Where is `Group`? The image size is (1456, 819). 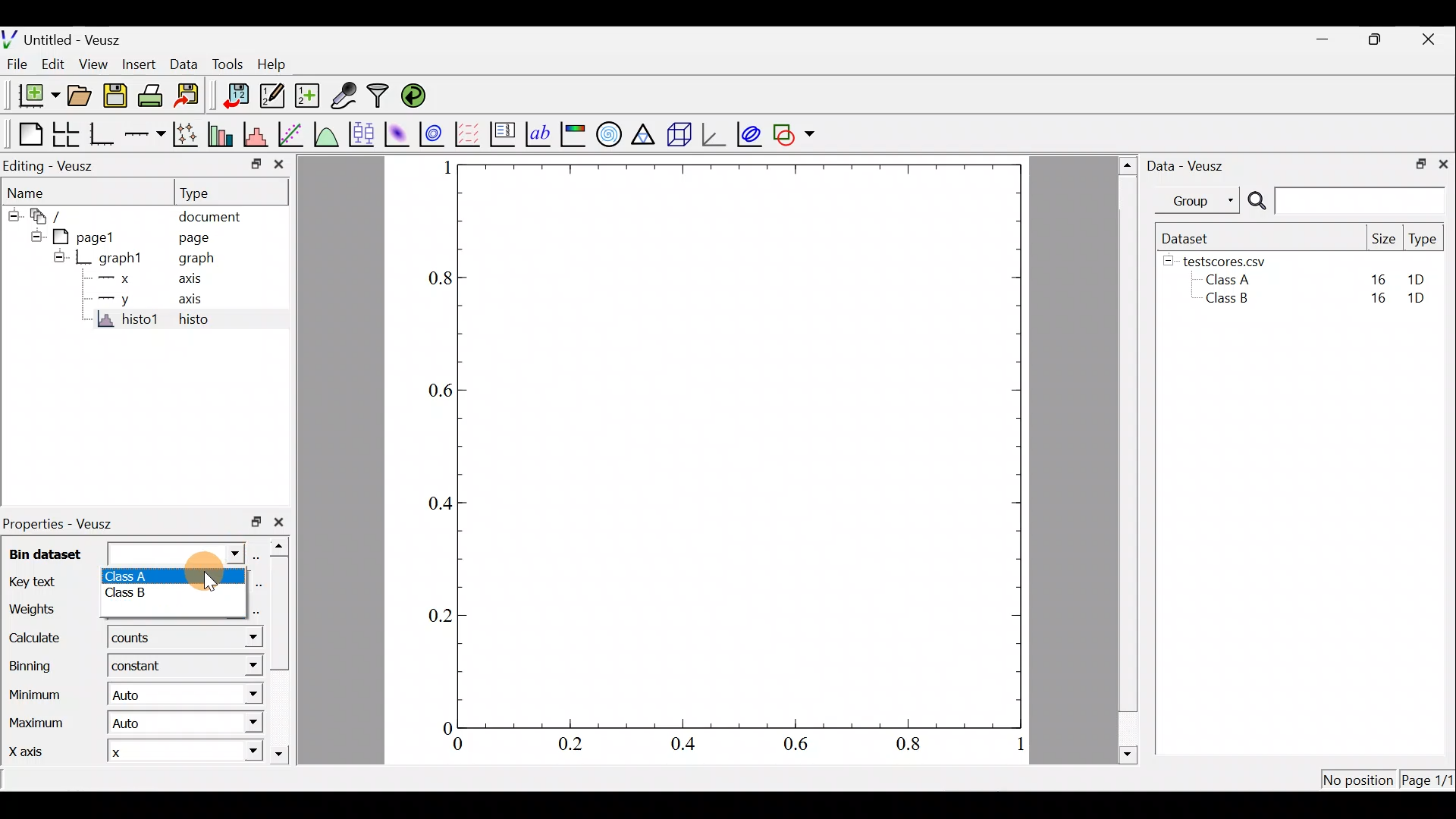 Group is located at coordinates (1200, 200).